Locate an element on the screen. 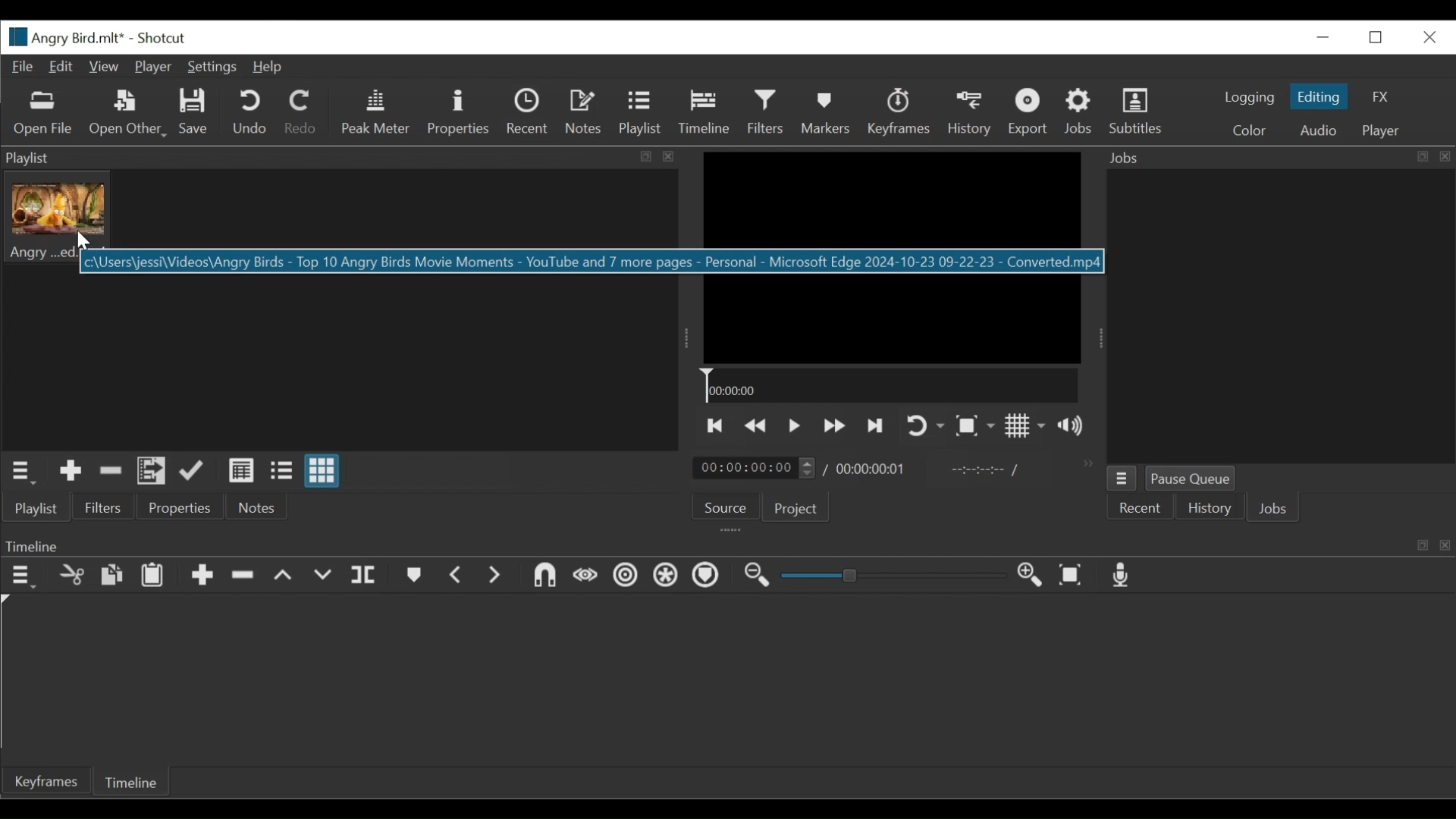 This screenshot has height=819, width=1456. Subtitles is located at coordinates (1137, 111).